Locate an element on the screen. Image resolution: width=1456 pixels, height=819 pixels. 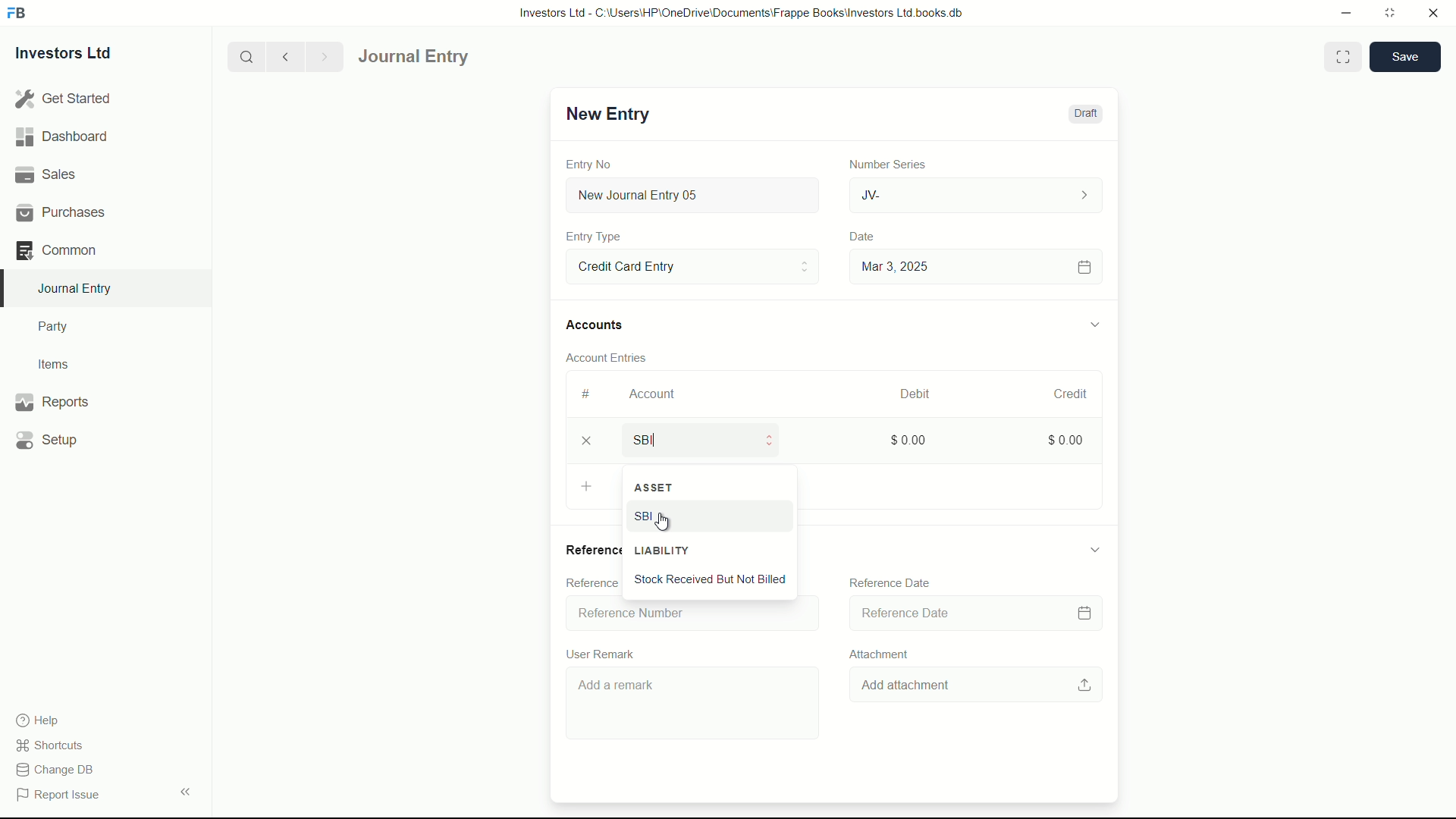
Reports . is located at coordinates (52, 400).